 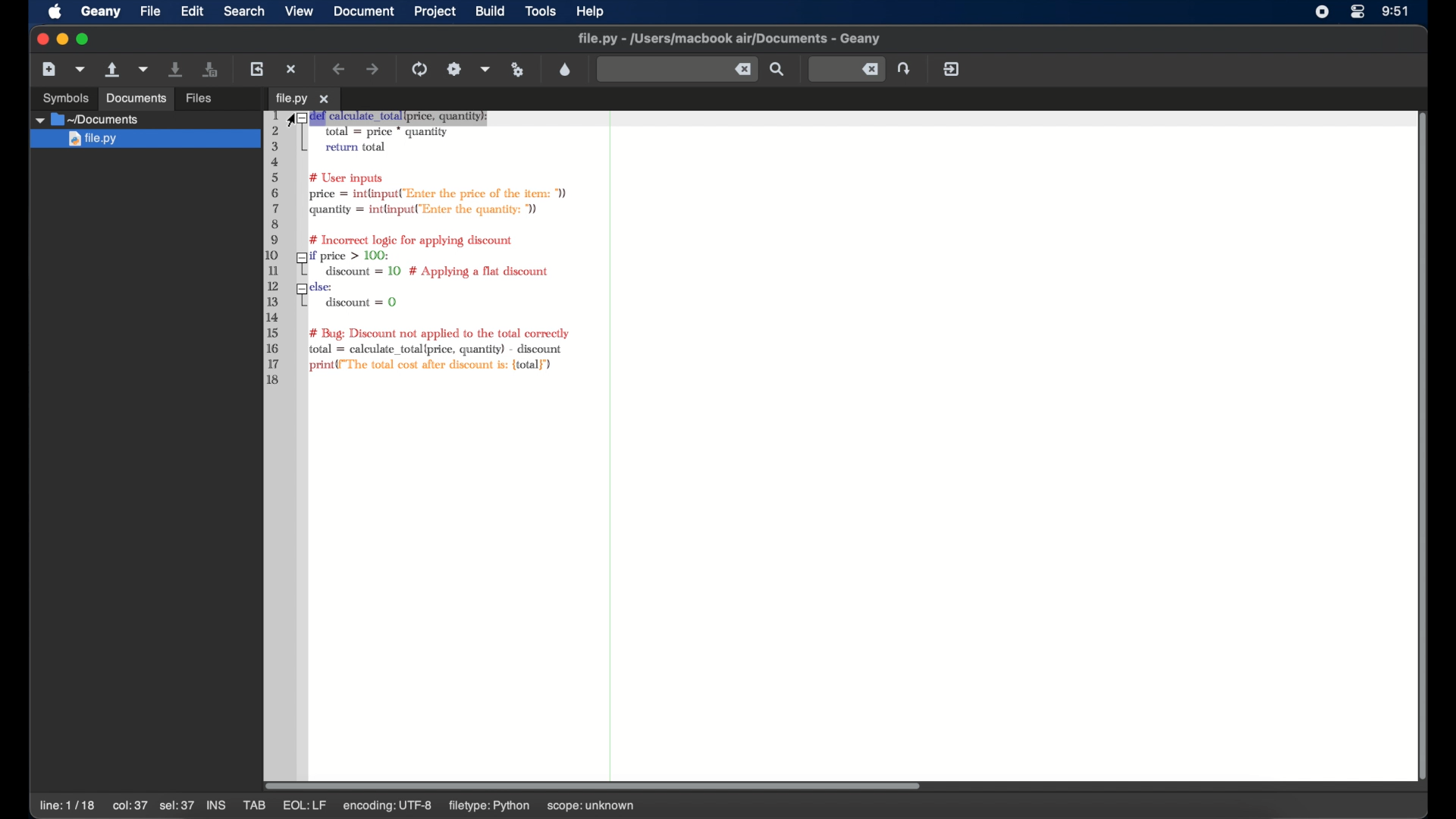 What do you see at coordinates (1396, 11) in the screenshot?
I see `time` at bounding box center [1396, 11].